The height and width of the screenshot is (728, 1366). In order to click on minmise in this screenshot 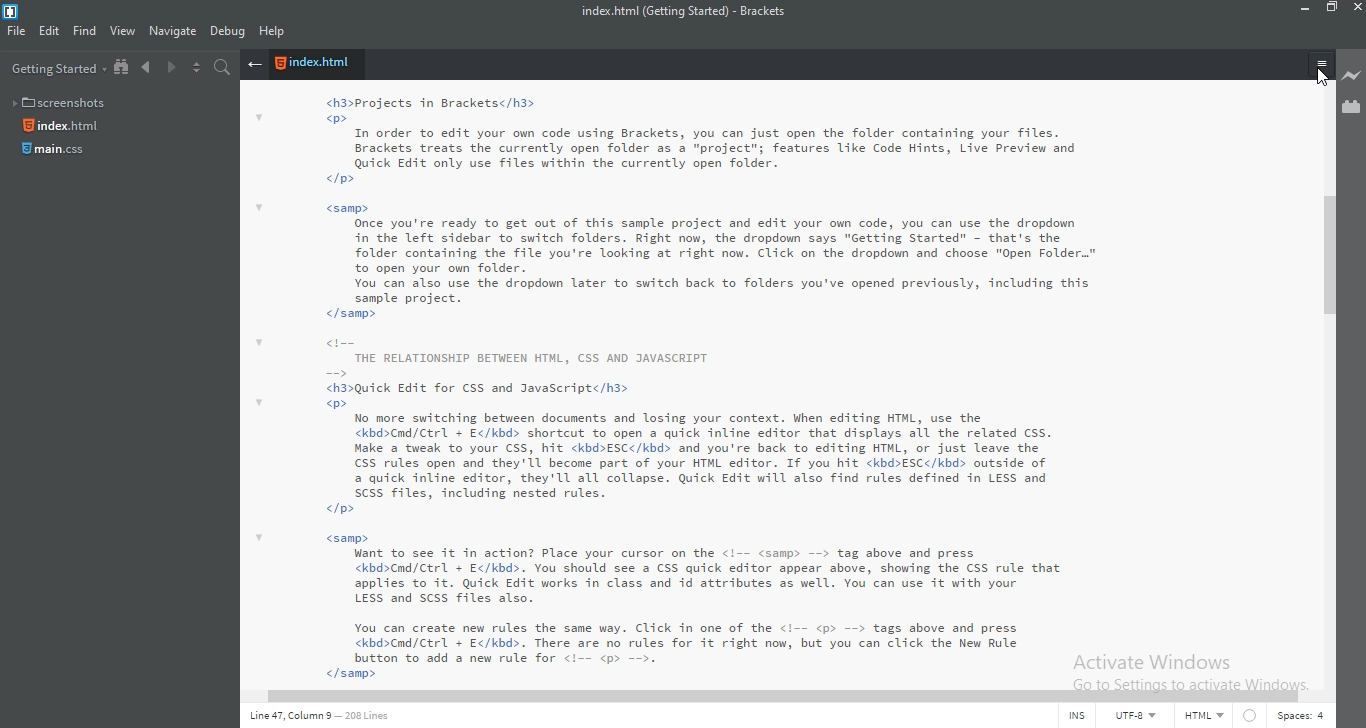, I will do `click(1301, 10)`.